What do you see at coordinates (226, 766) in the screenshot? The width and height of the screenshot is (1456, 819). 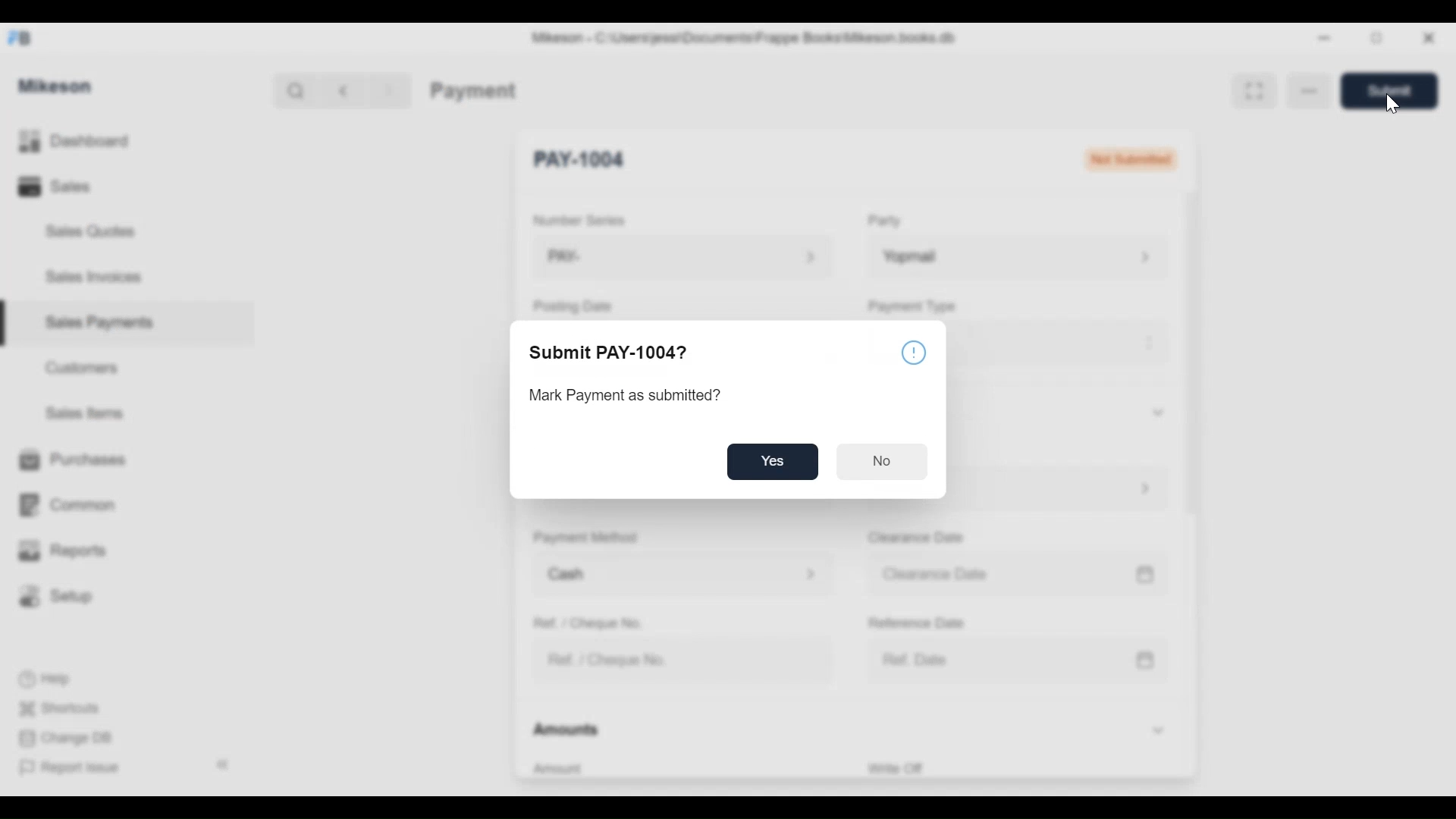 I see `Collapse` at bounding box center [226, 766].